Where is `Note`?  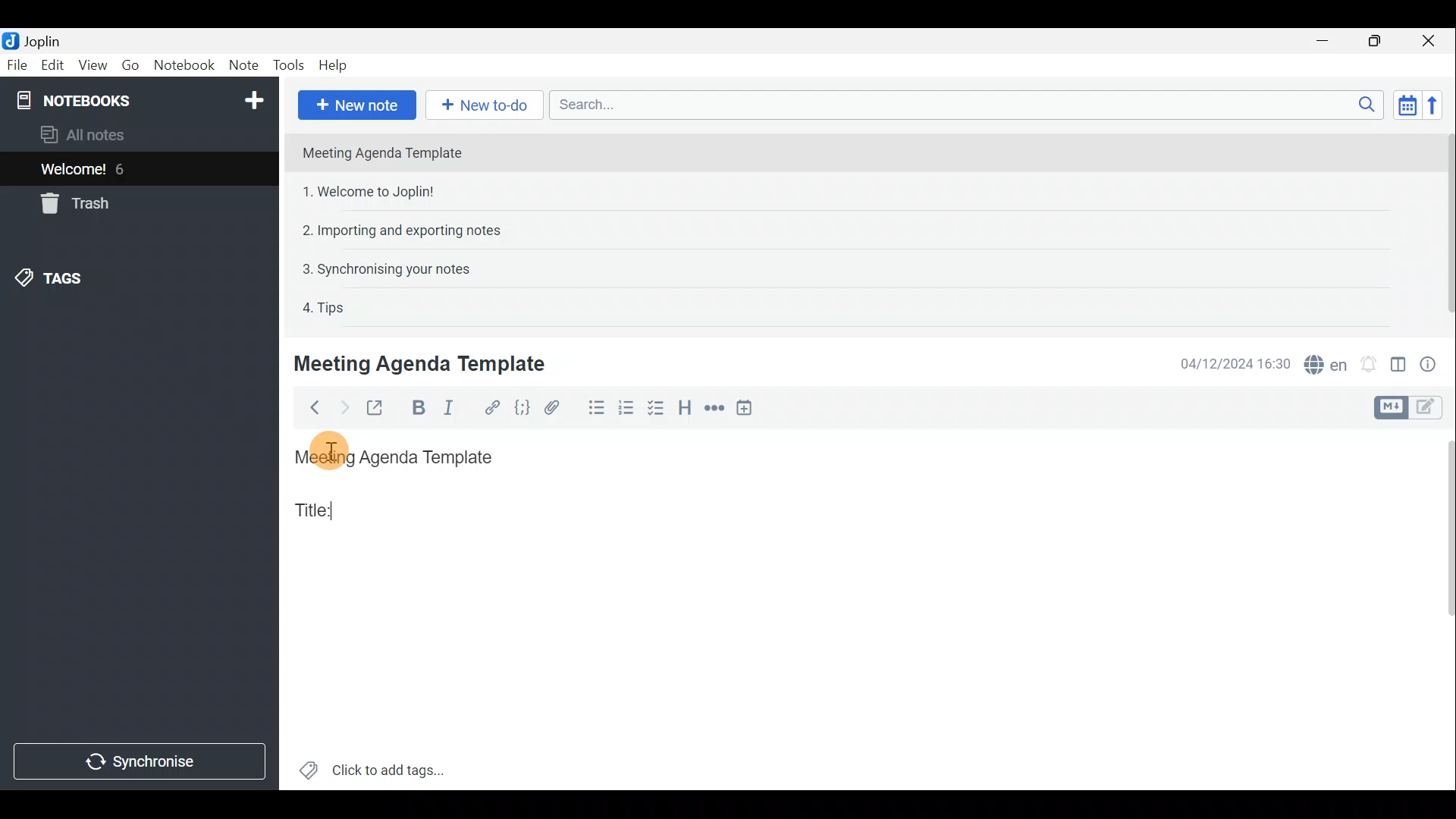
Note is located at coordinates (241, 62).